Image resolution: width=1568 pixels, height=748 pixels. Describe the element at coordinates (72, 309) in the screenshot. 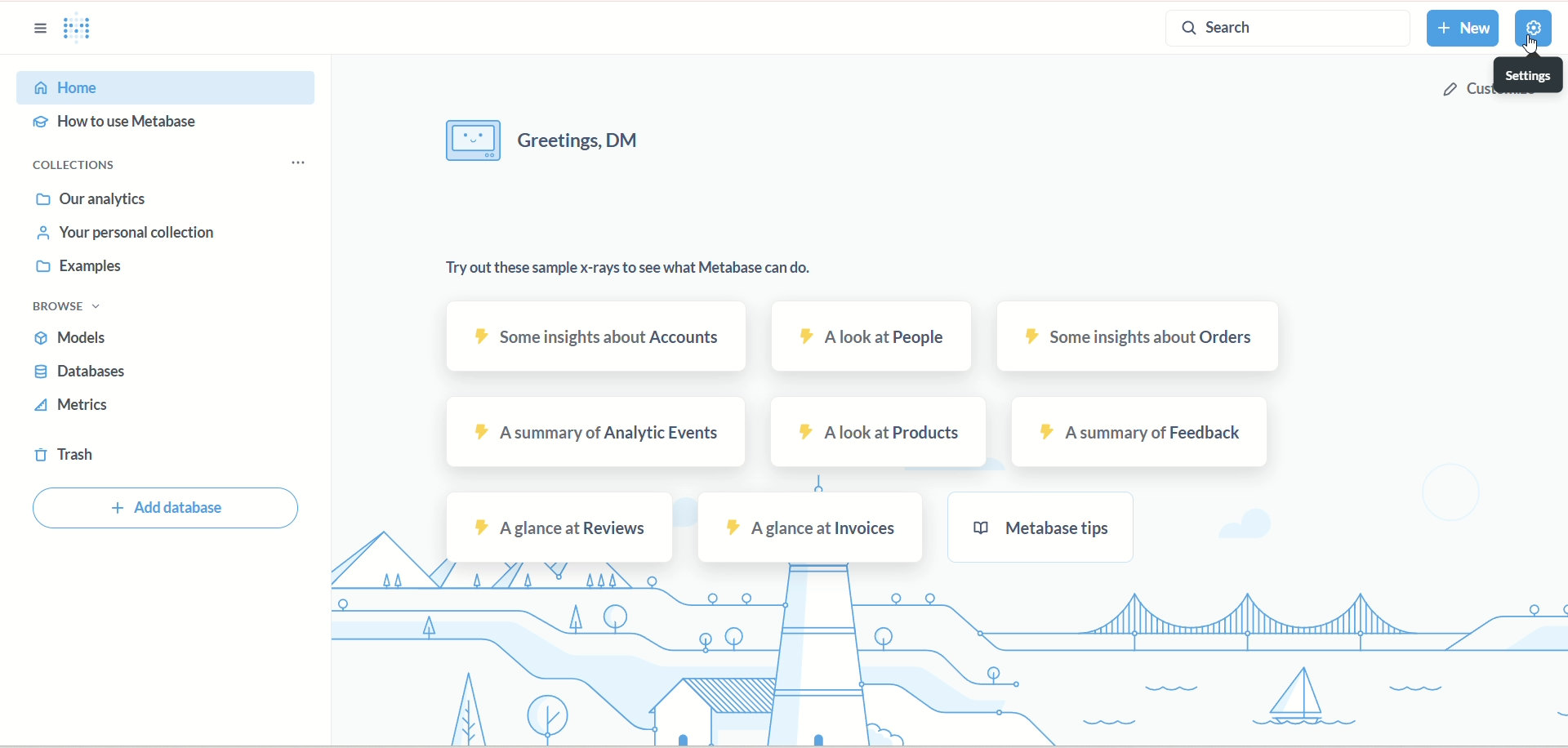

I see `browse` at that location.